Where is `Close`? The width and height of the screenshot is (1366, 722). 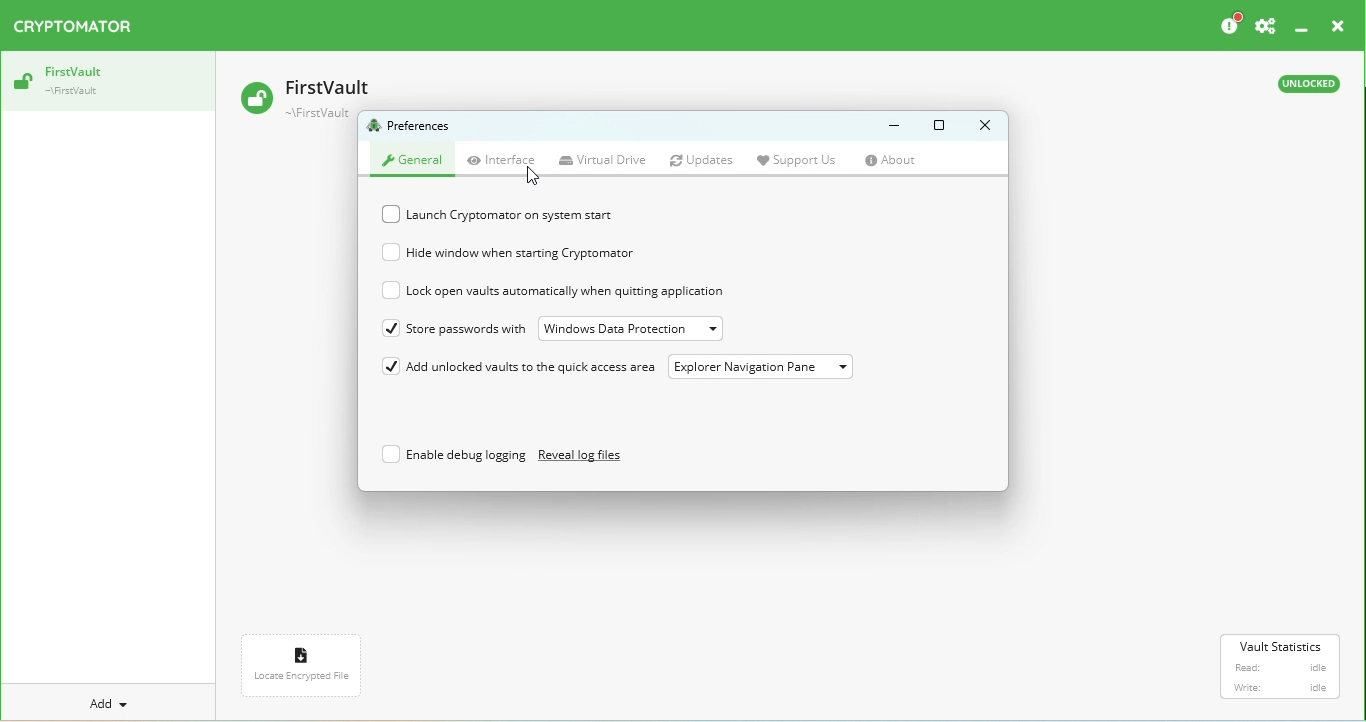
Close is located at coordinates (1335, 28).